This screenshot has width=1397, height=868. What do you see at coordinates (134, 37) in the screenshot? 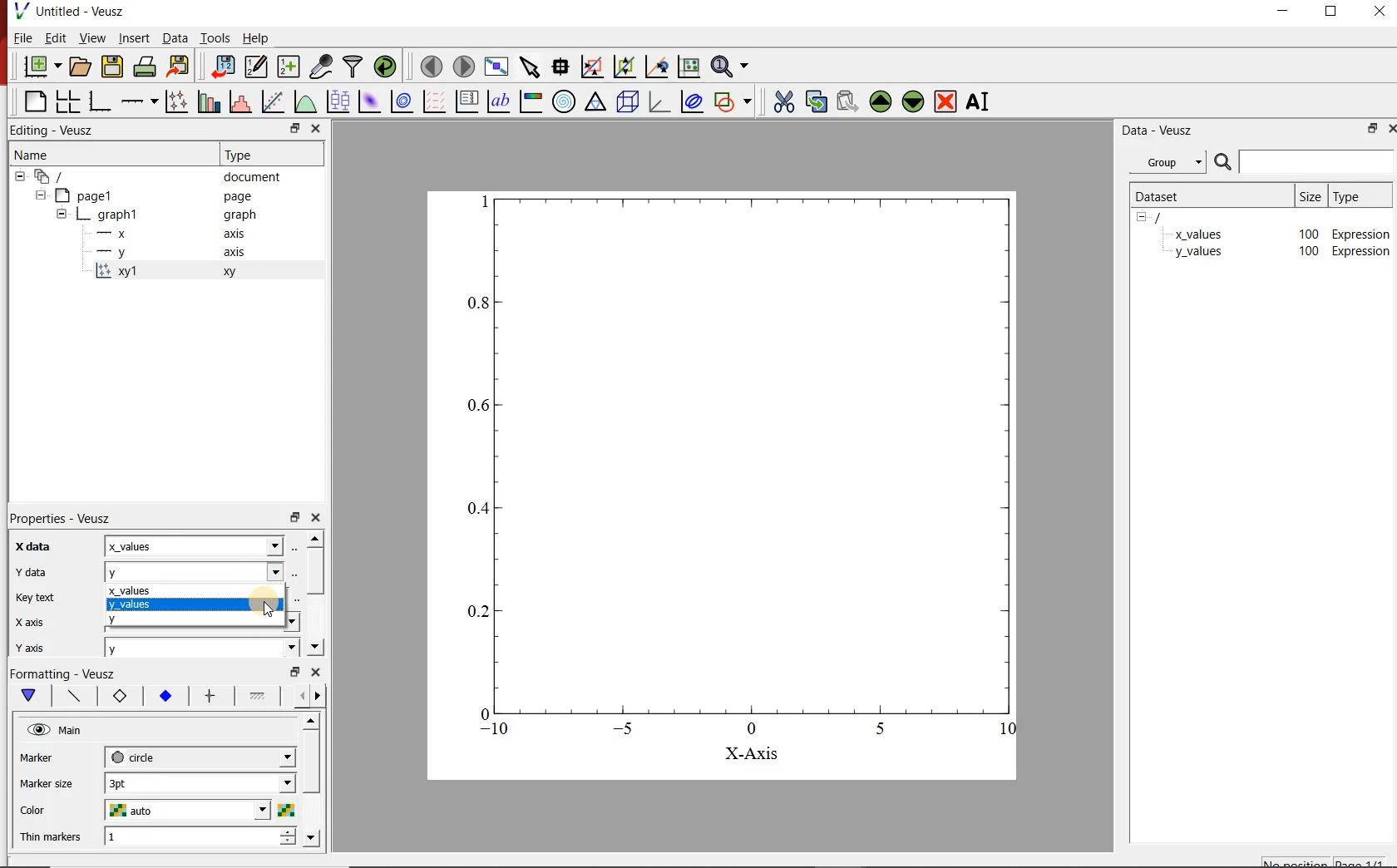
I see `insert` at bounding box center [134, 37].